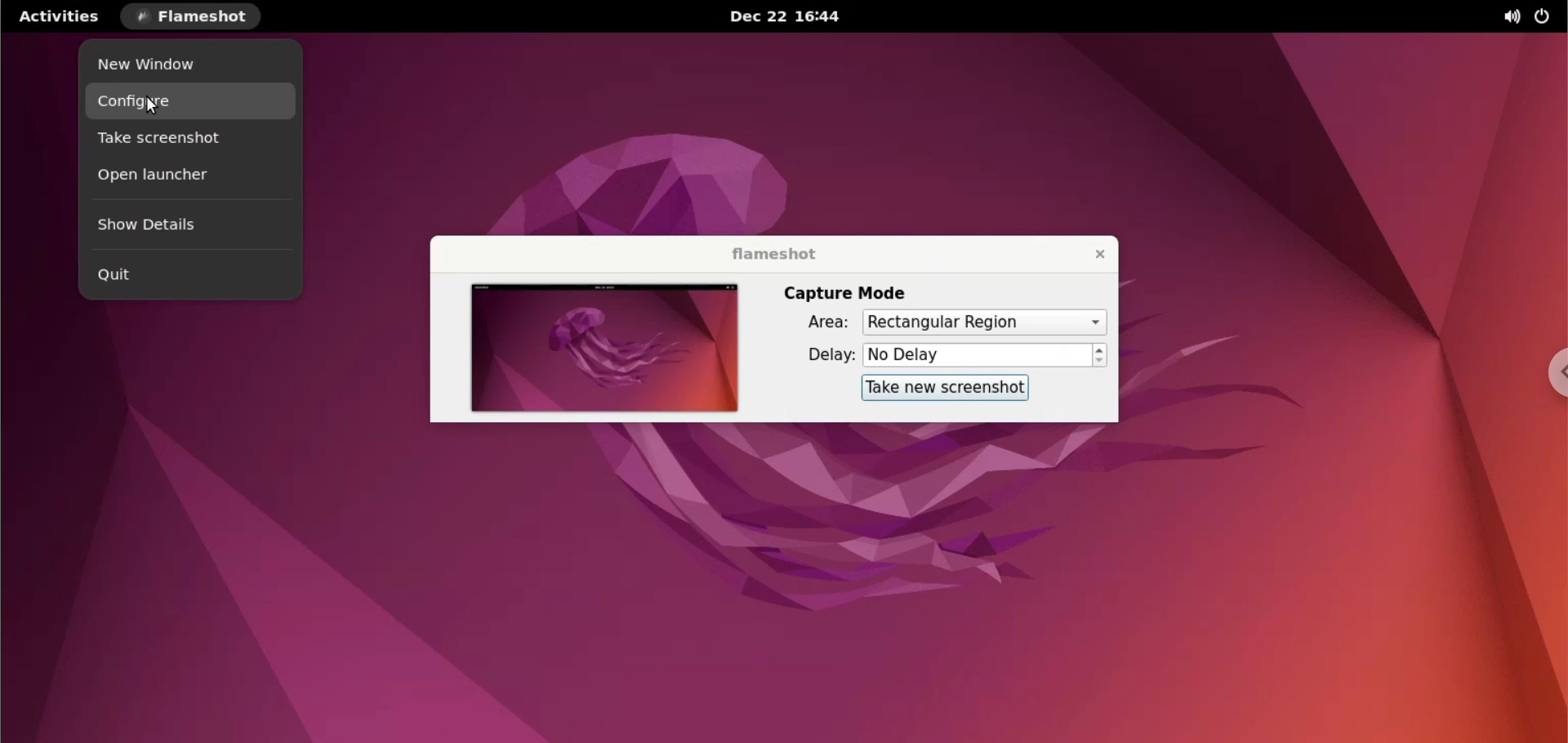 The width and height of the screenshot is (1568, 743). Describe the element at coordinates (60, 16) in the screenshot. I see `activities ` at that location.